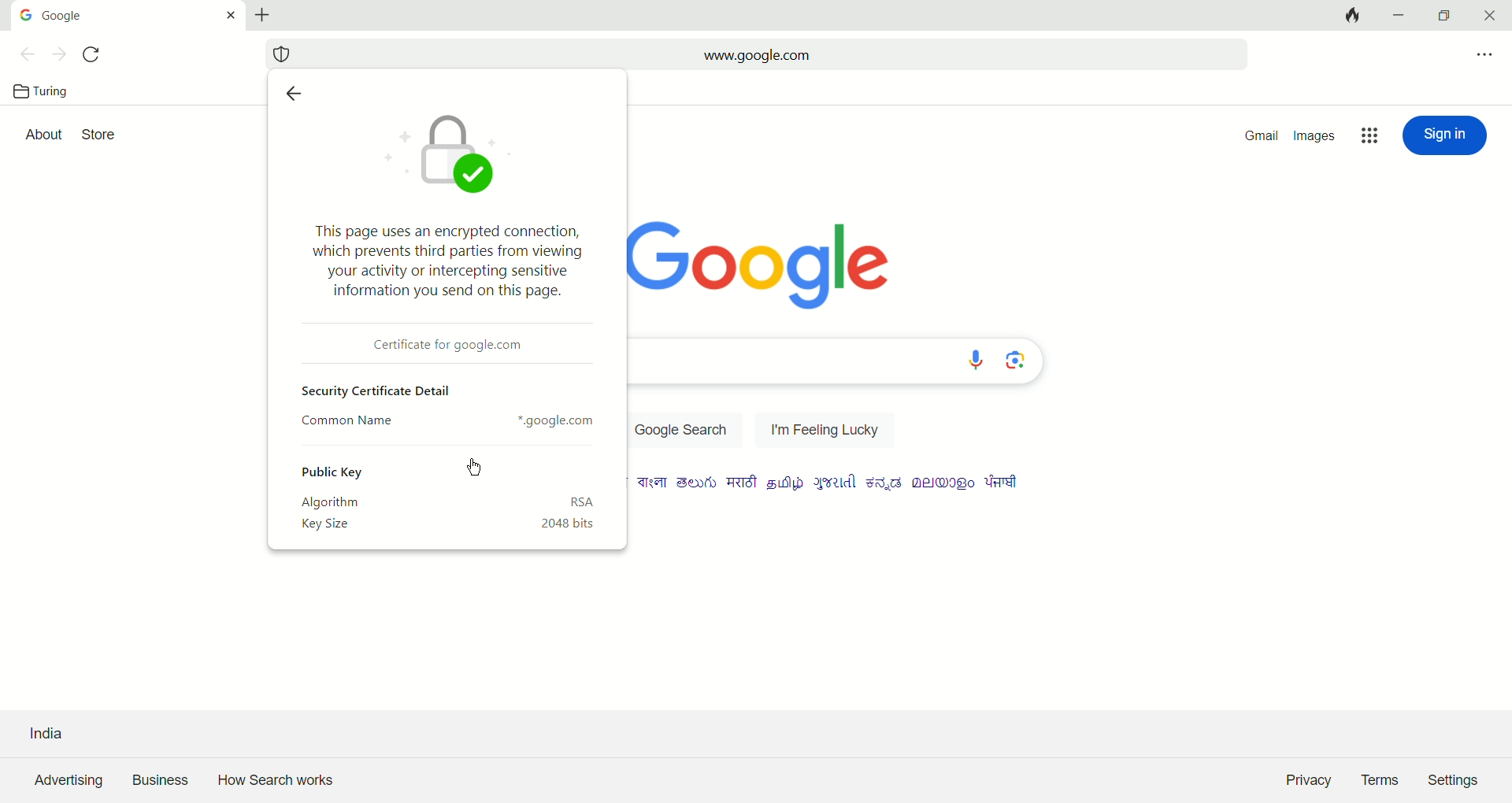 This screenshot has width=1512, height=803. Describe the element at coordinates (306, 97) in the screenshot. I see `previous` at that location.